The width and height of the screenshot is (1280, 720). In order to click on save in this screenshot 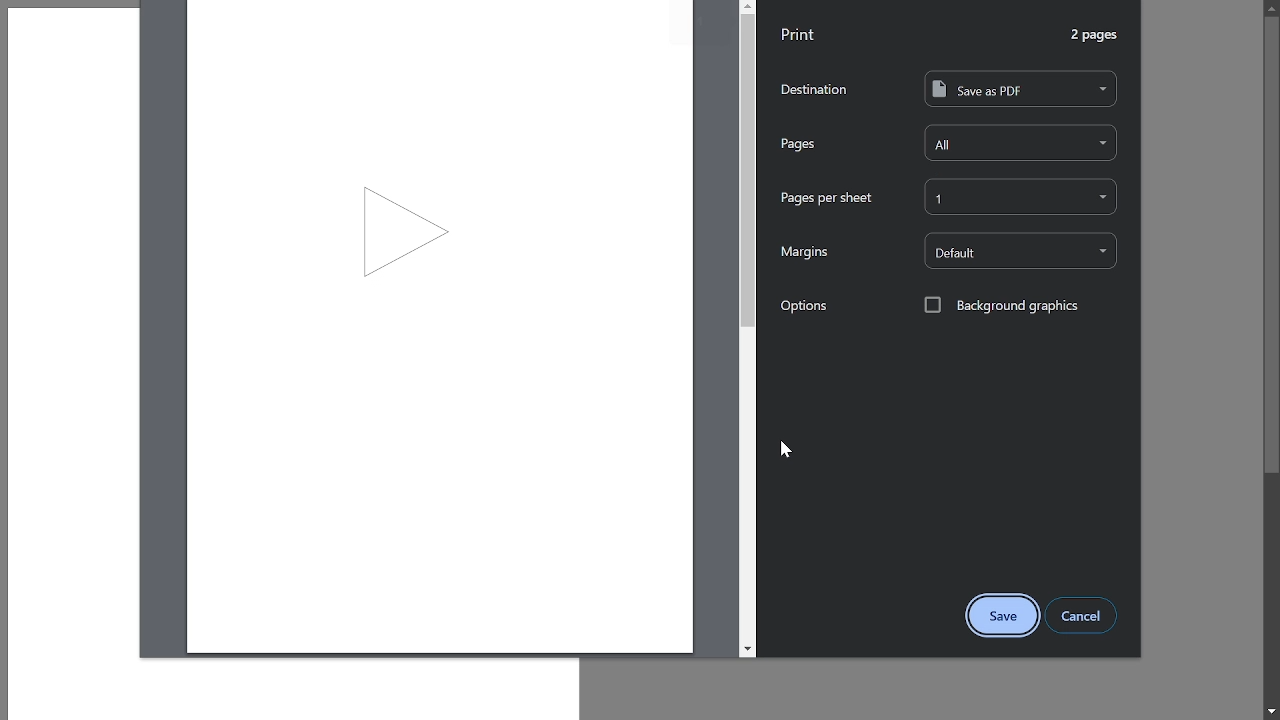, I will do `click(1003, 616)`.